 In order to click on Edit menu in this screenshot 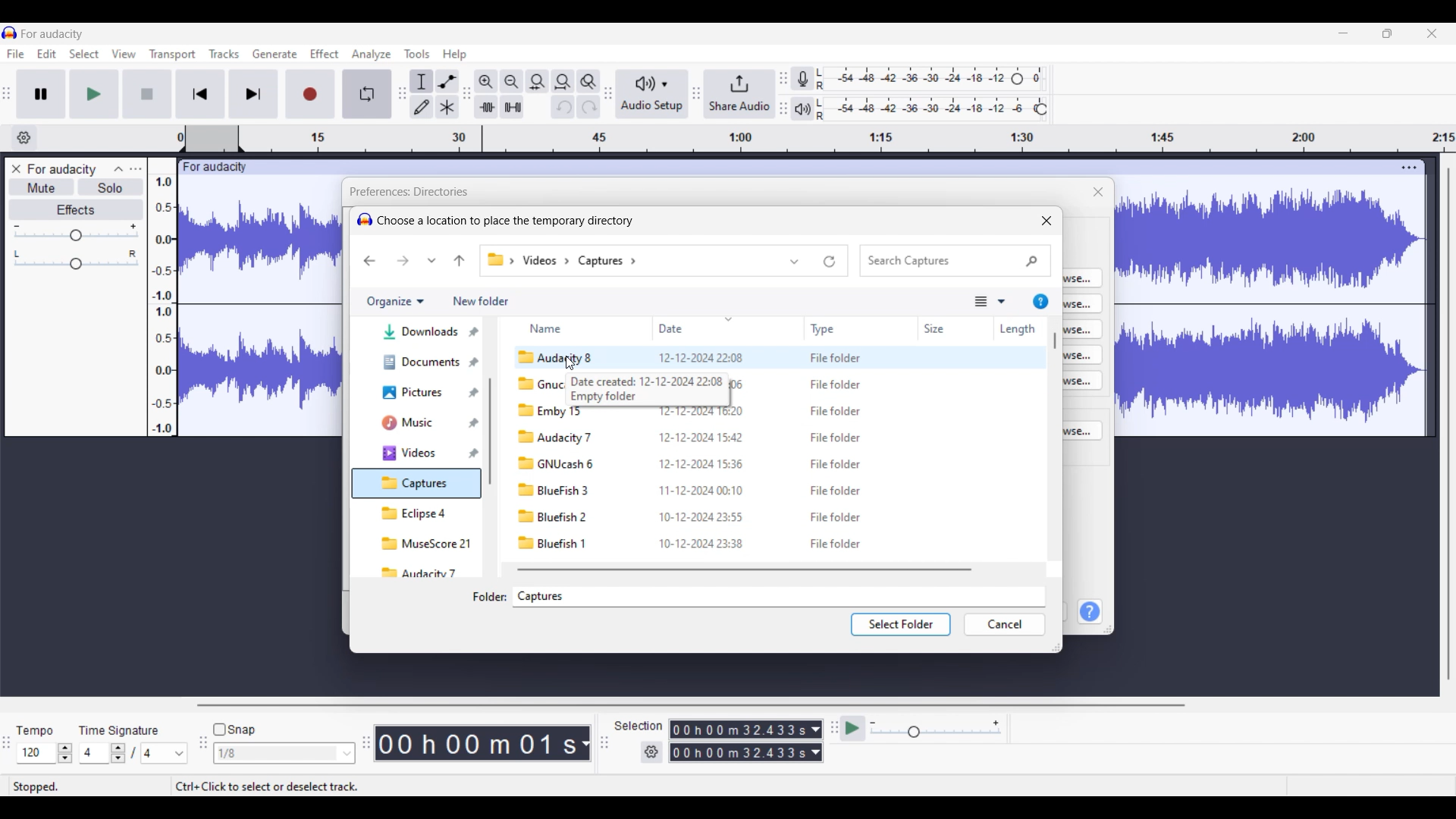, I will do `click(47, 54)`.